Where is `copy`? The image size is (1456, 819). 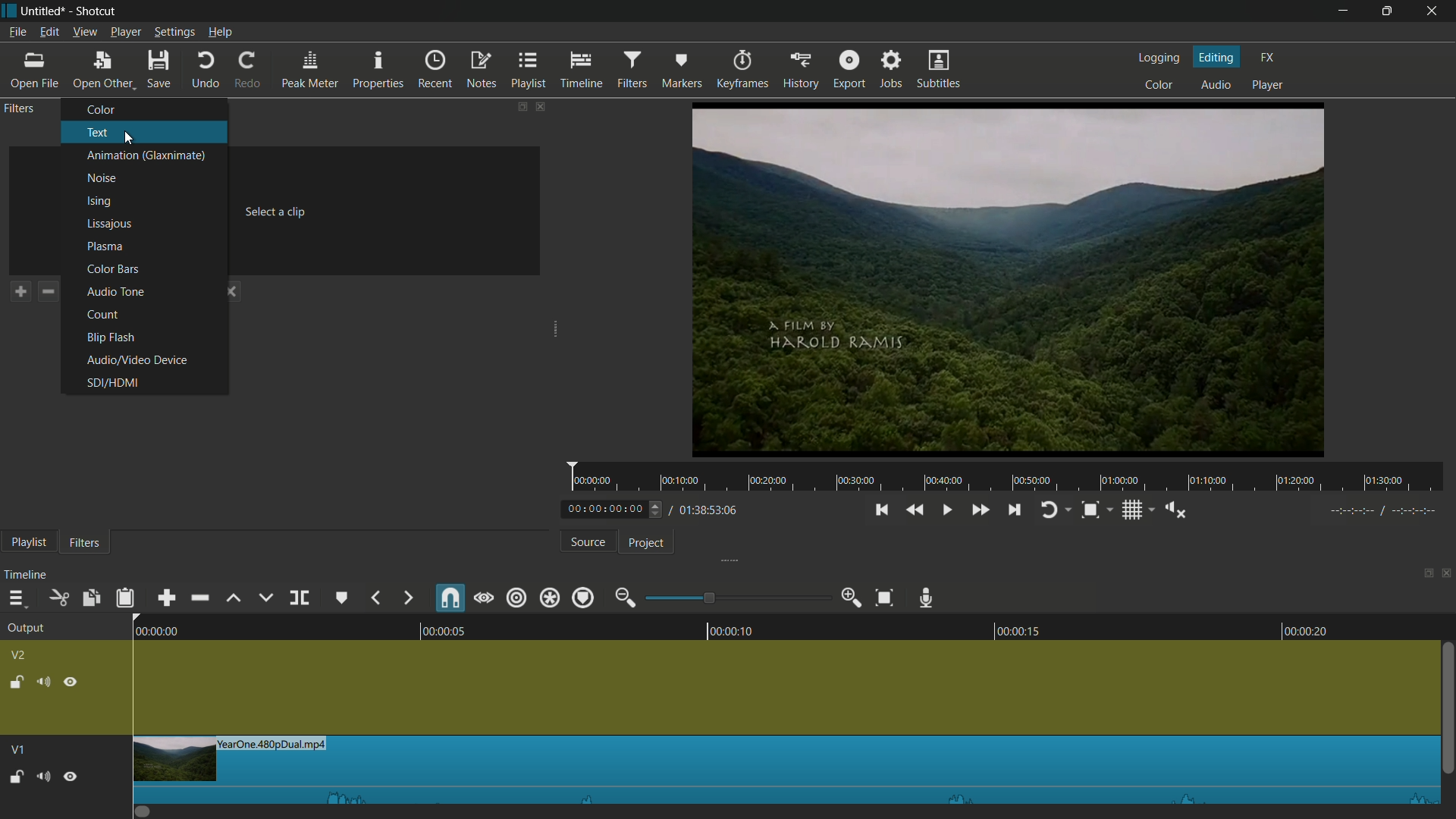
copy is located at coordinates (93, 598).